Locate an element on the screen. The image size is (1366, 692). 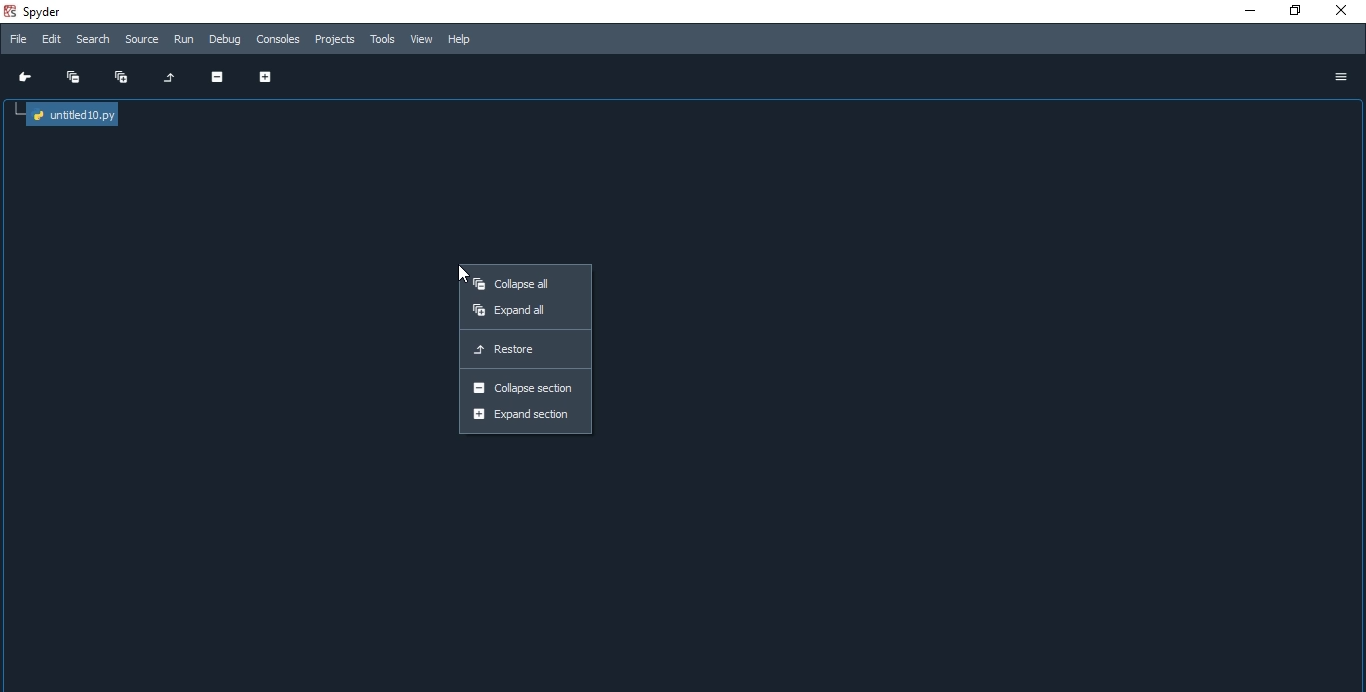
source is located at coordinates (144, 39).